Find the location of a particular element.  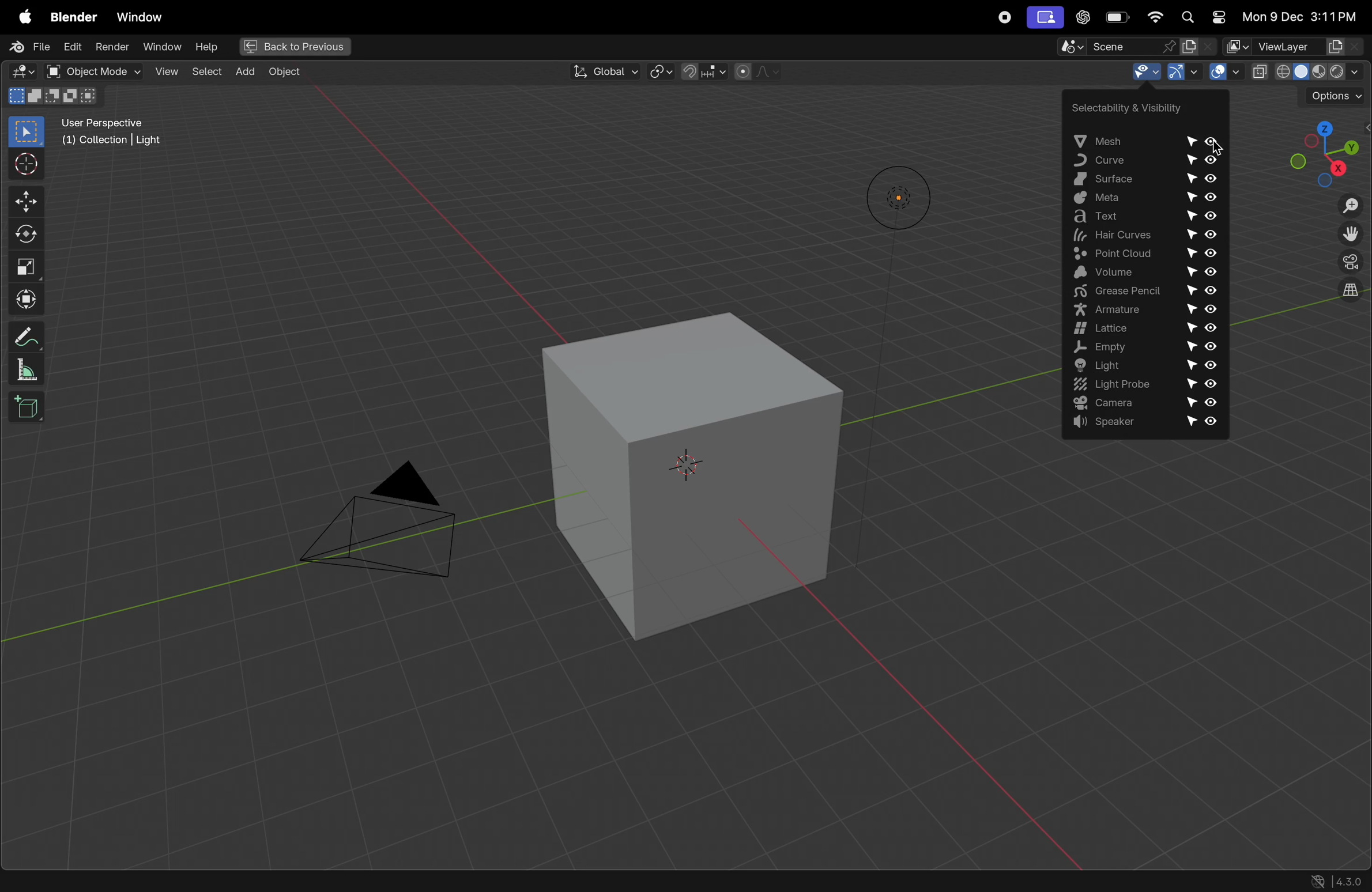

snap is located at coordinates (705, 71).